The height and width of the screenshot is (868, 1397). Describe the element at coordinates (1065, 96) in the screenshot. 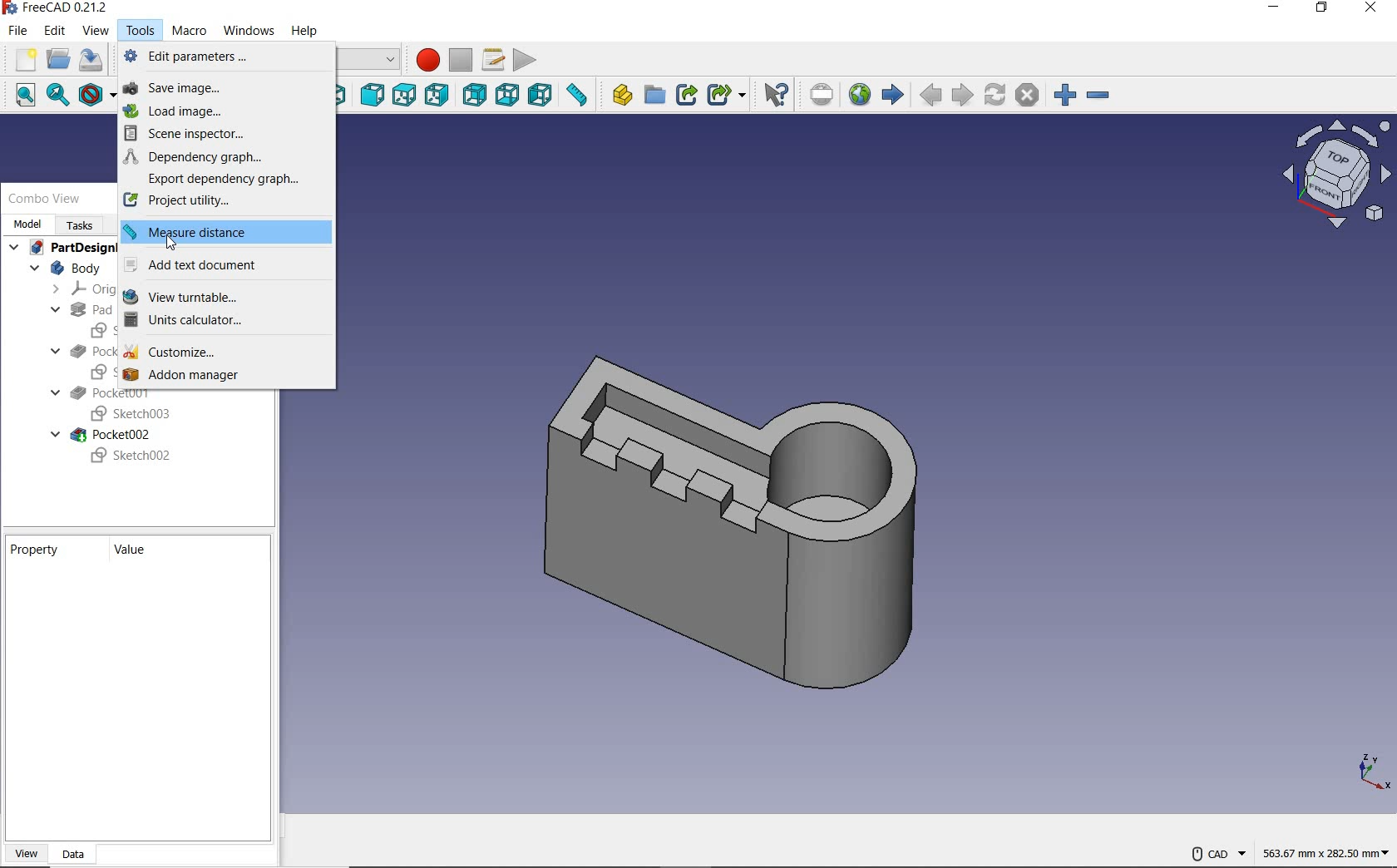

I see `zoom in` at that location.